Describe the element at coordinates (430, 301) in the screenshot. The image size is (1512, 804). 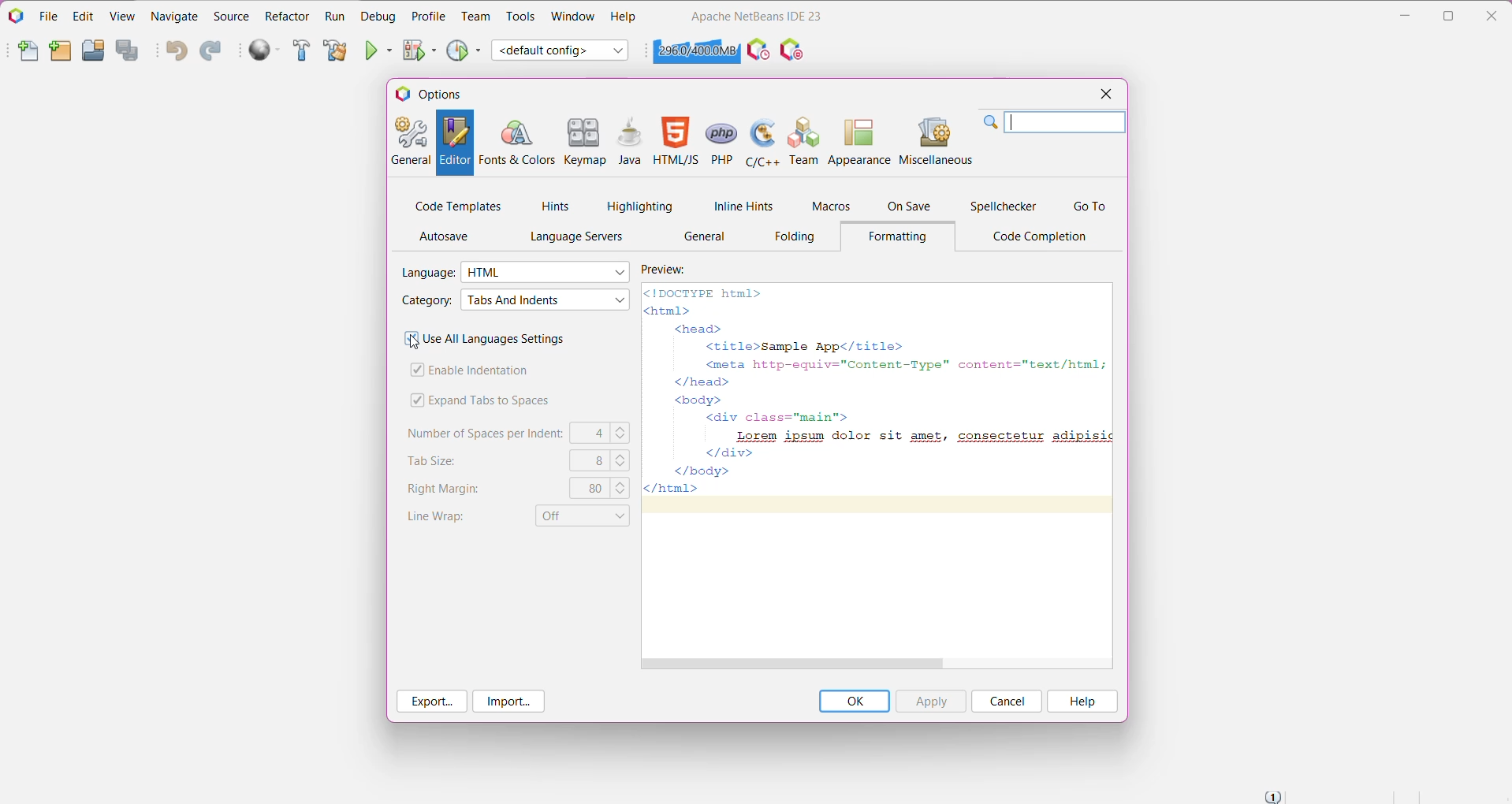
I see `Category` at that location.